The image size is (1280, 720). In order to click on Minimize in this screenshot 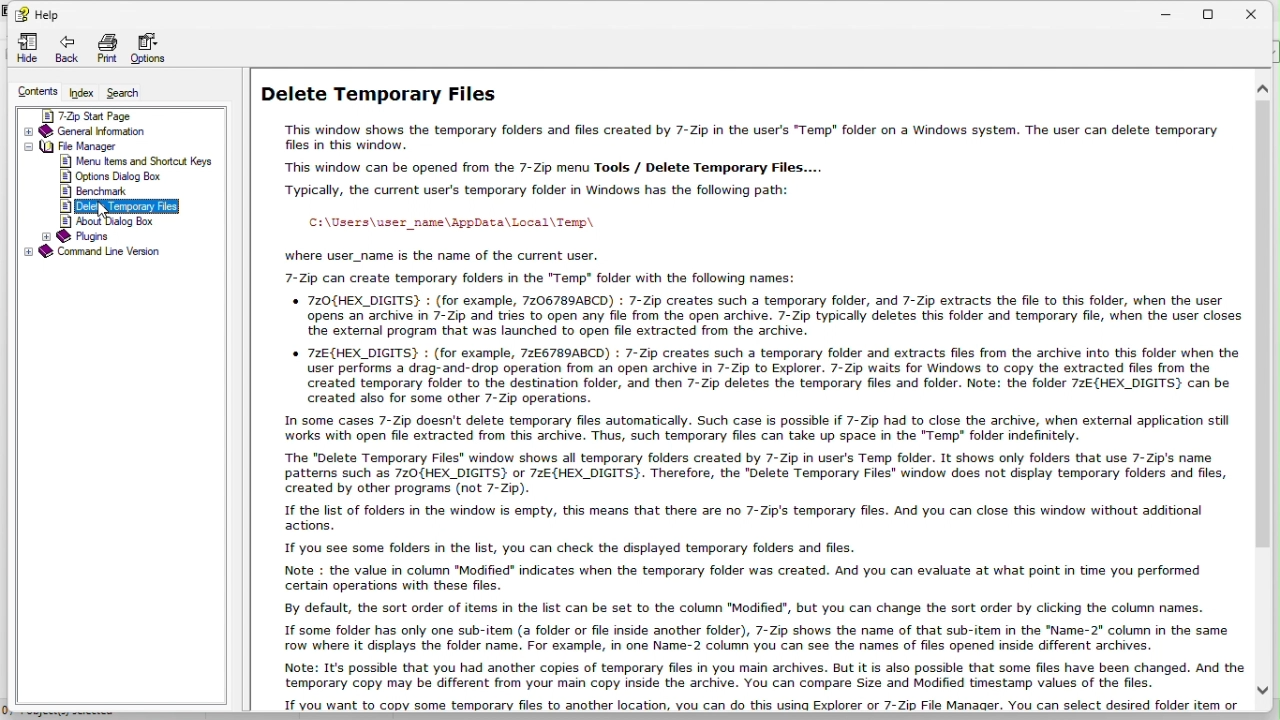, I will do `click(1172, 10)`.